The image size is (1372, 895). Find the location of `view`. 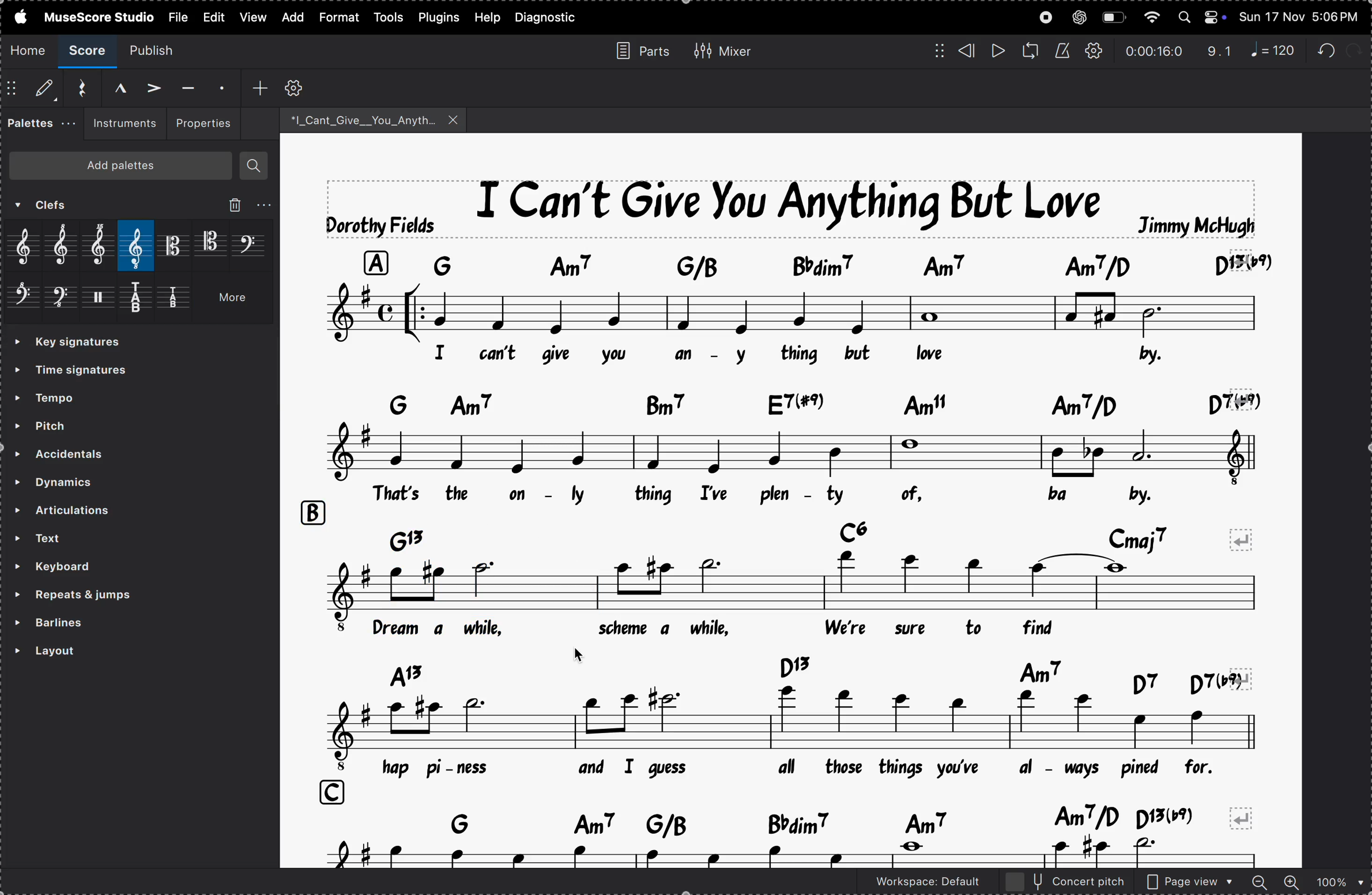

view is located at coordinates (212, 17).